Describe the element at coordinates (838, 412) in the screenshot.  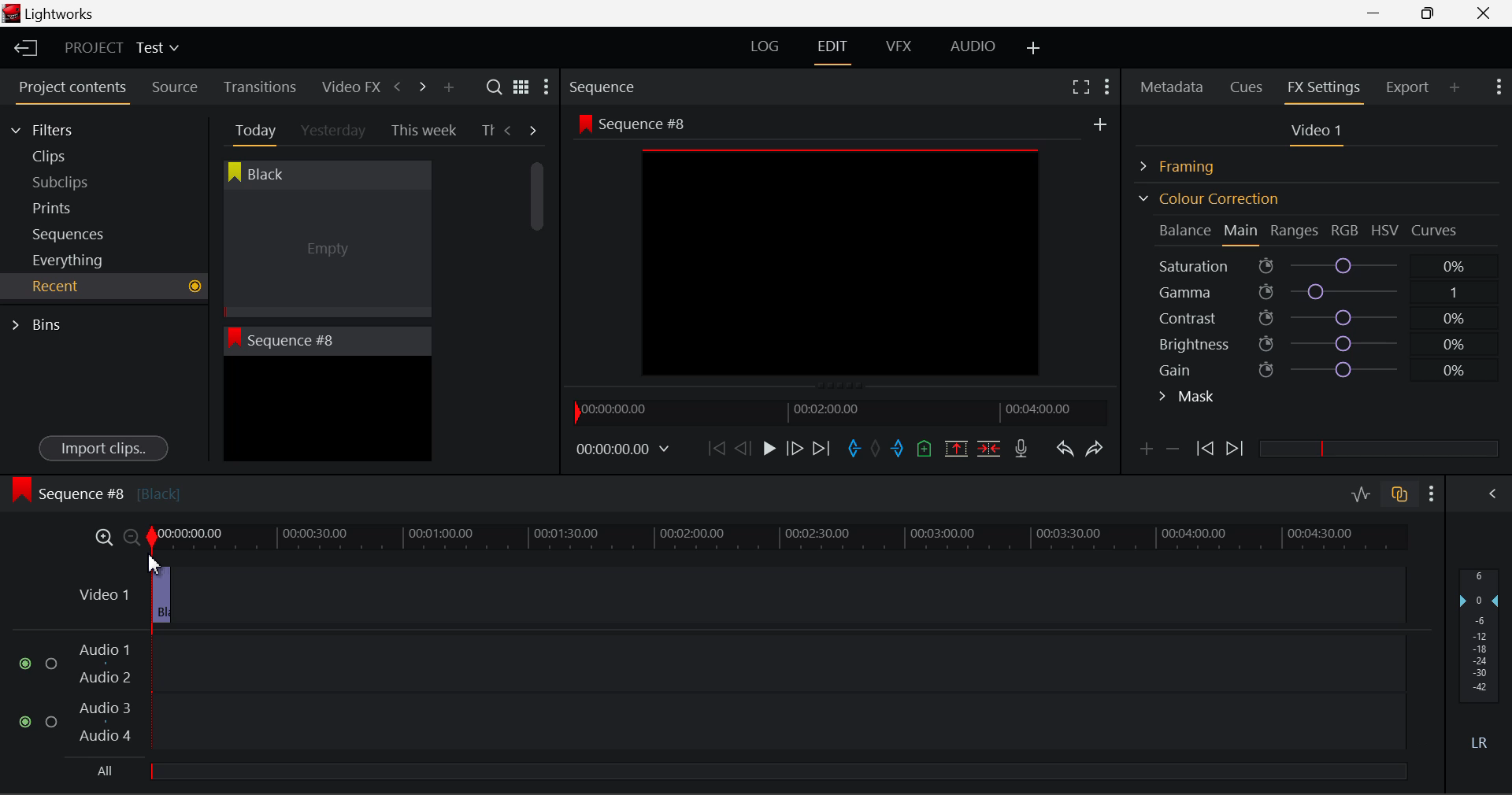
I see `Project Timeline Navigator` at that location.